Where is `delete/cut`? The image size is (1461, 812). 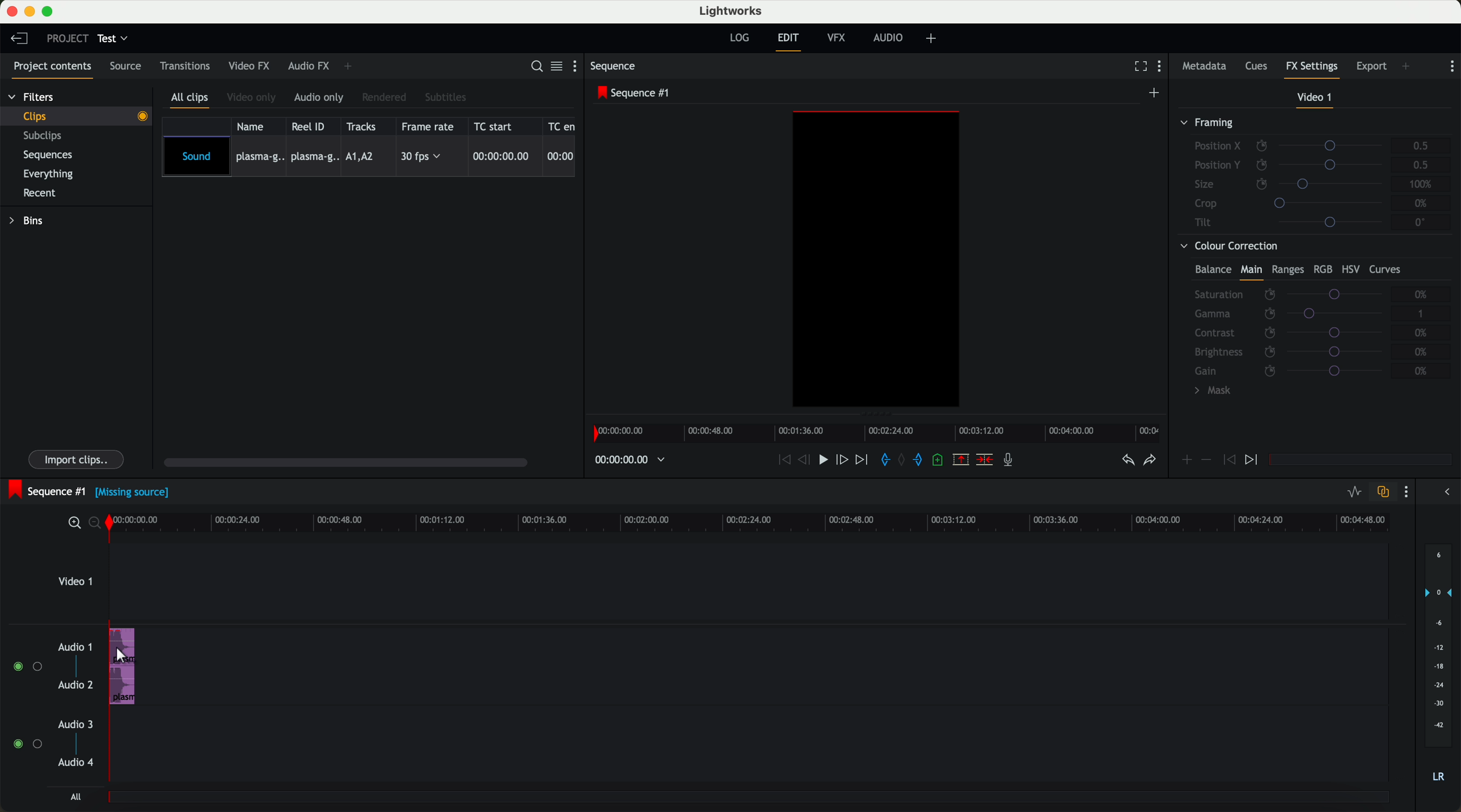 delete/cut is located at coordinates (983, 460).